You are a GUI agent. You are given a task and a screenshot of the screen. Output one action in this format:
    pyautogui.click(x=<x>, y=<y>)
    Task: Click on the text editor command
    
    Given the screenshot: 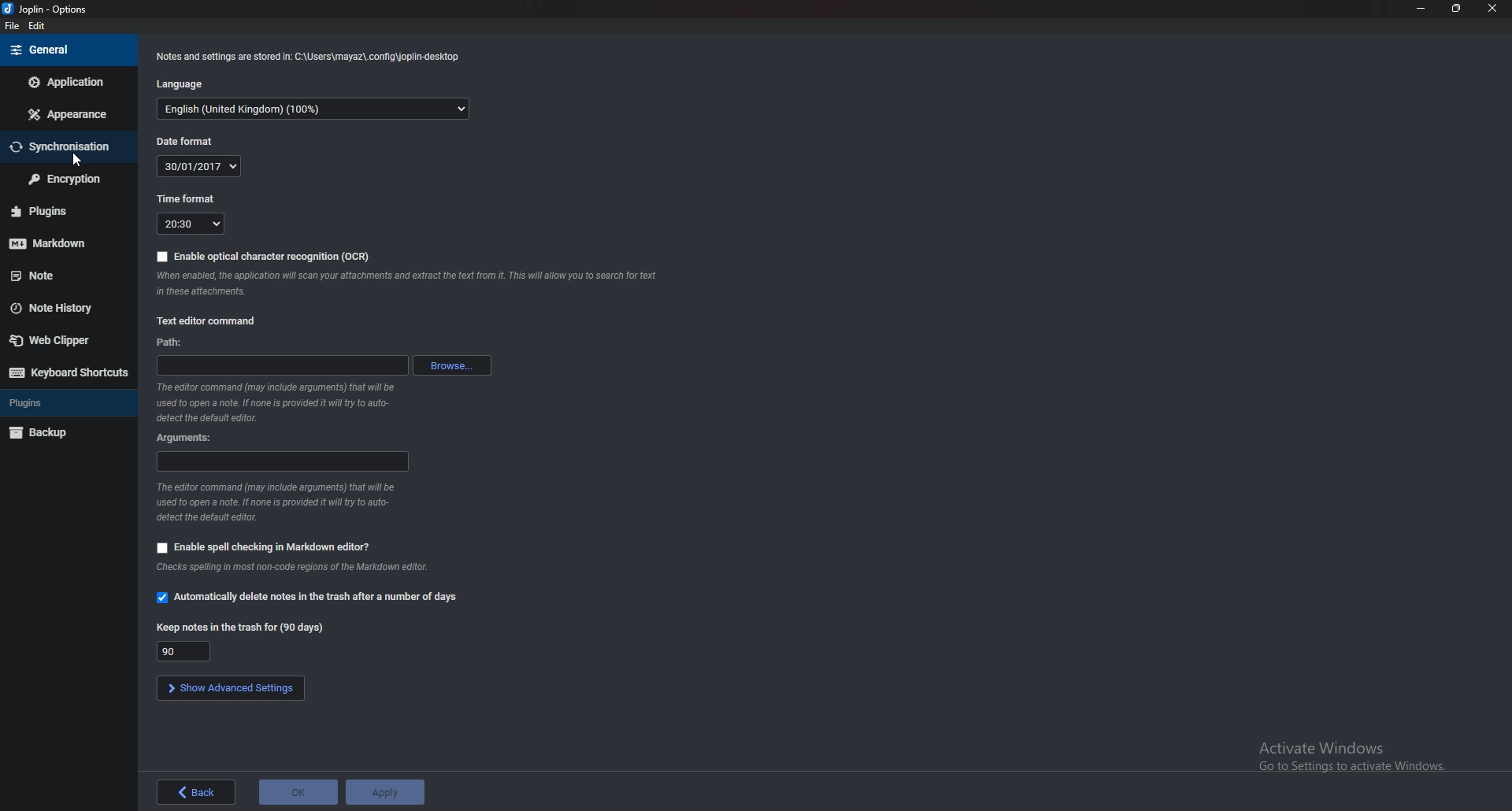 What is the action you would take?
    pyautogui.click(x=207, y=321)
    